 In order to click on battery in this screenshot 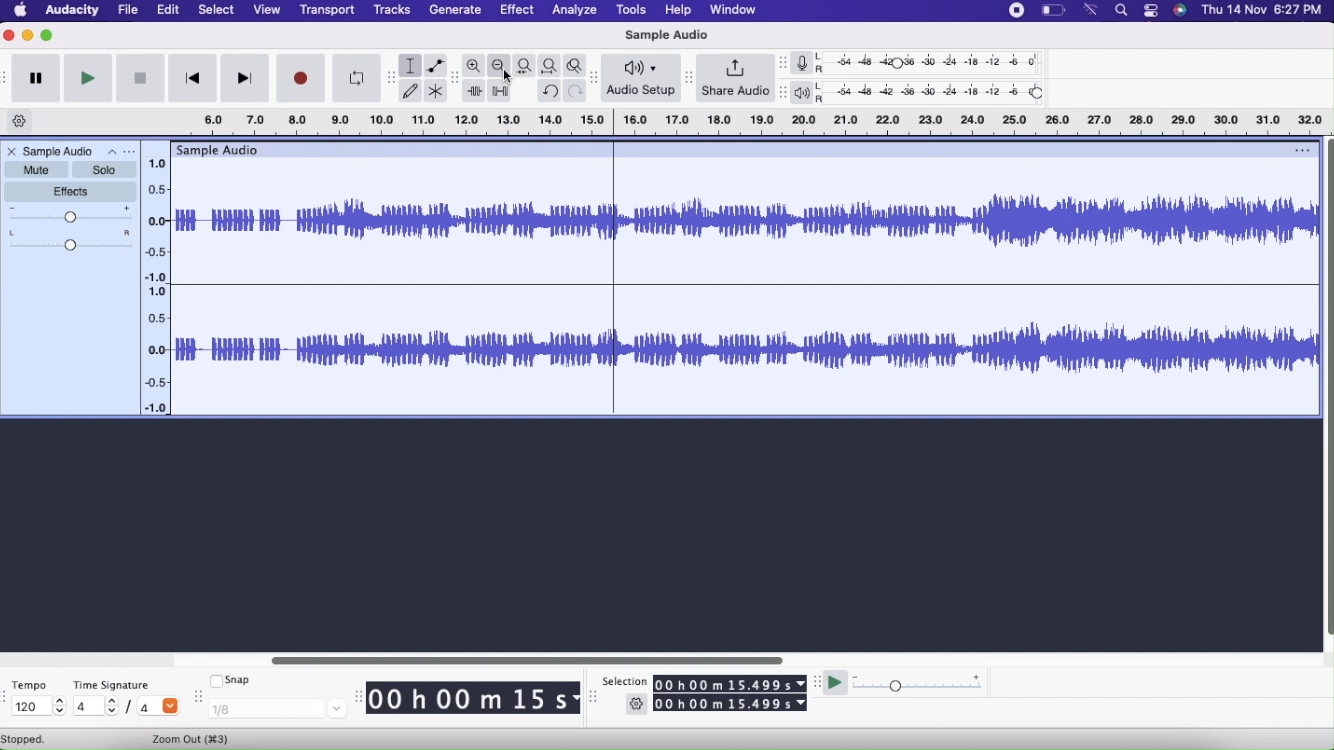, I will do `click(1054, 13)`.